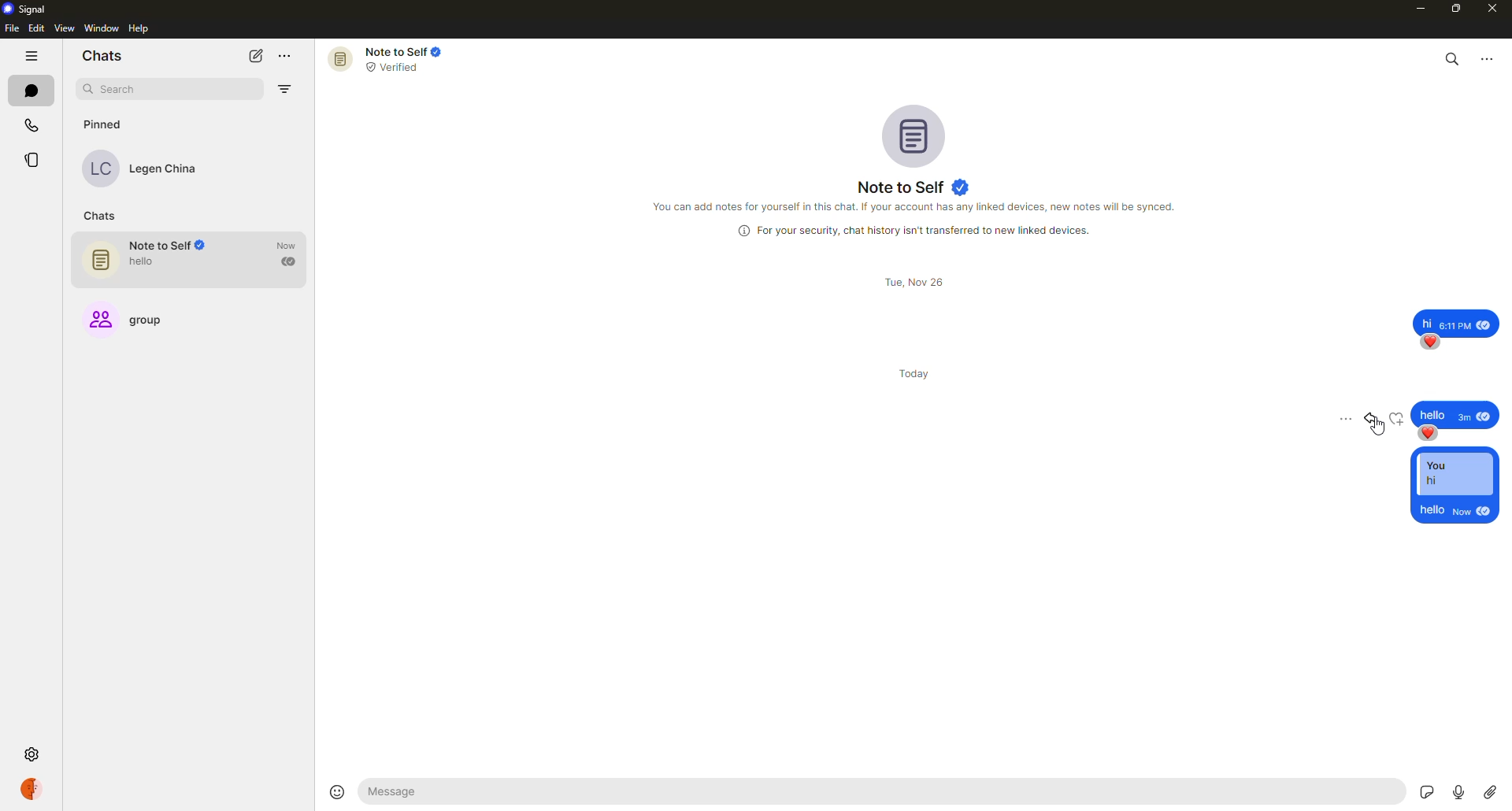  What do you see at coordinates (13, 28) in the screenshot?
I see `file` at bounding box center [13, 28].